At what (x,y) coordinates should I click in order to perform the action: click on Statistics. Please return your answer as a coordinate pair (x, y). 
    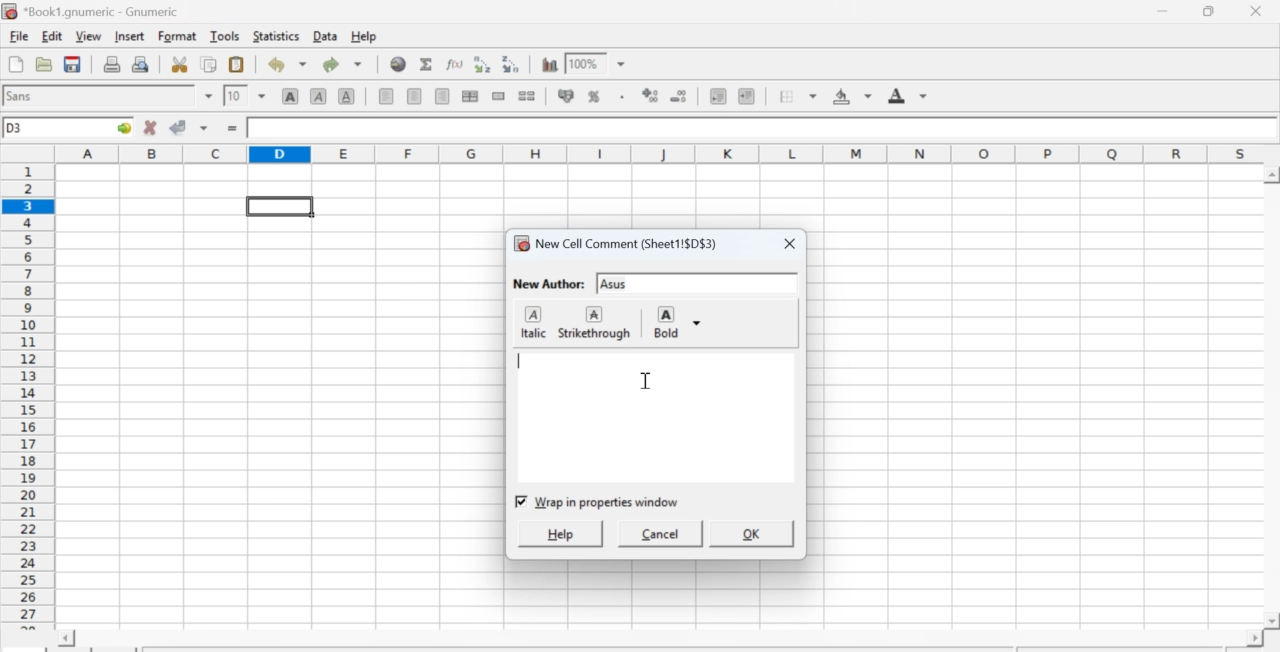
    Looking at the image, I should click on (278, 36).